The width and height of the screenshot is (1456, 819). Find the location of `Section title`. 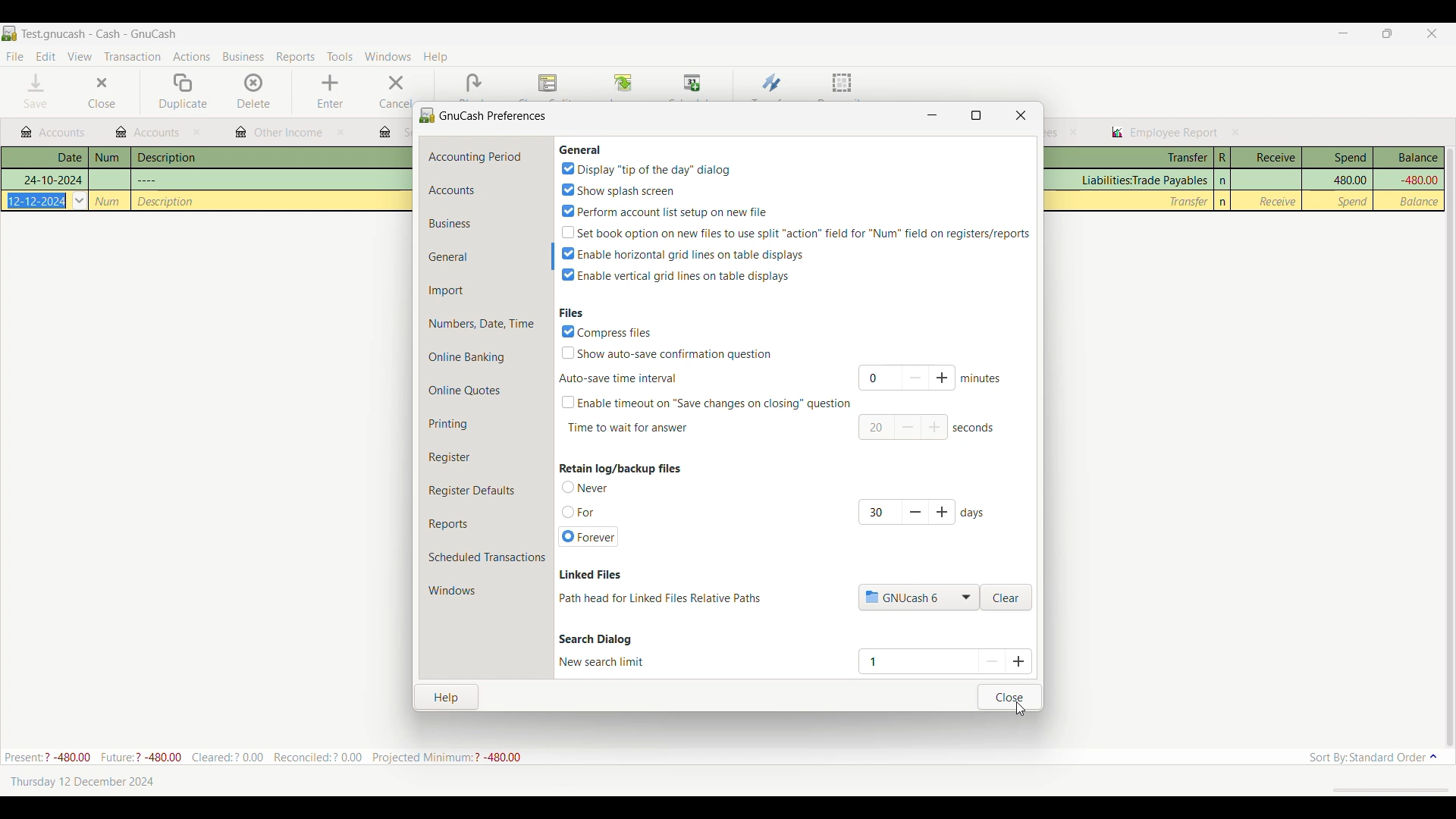

Section title is located at coordinates (620, 468).